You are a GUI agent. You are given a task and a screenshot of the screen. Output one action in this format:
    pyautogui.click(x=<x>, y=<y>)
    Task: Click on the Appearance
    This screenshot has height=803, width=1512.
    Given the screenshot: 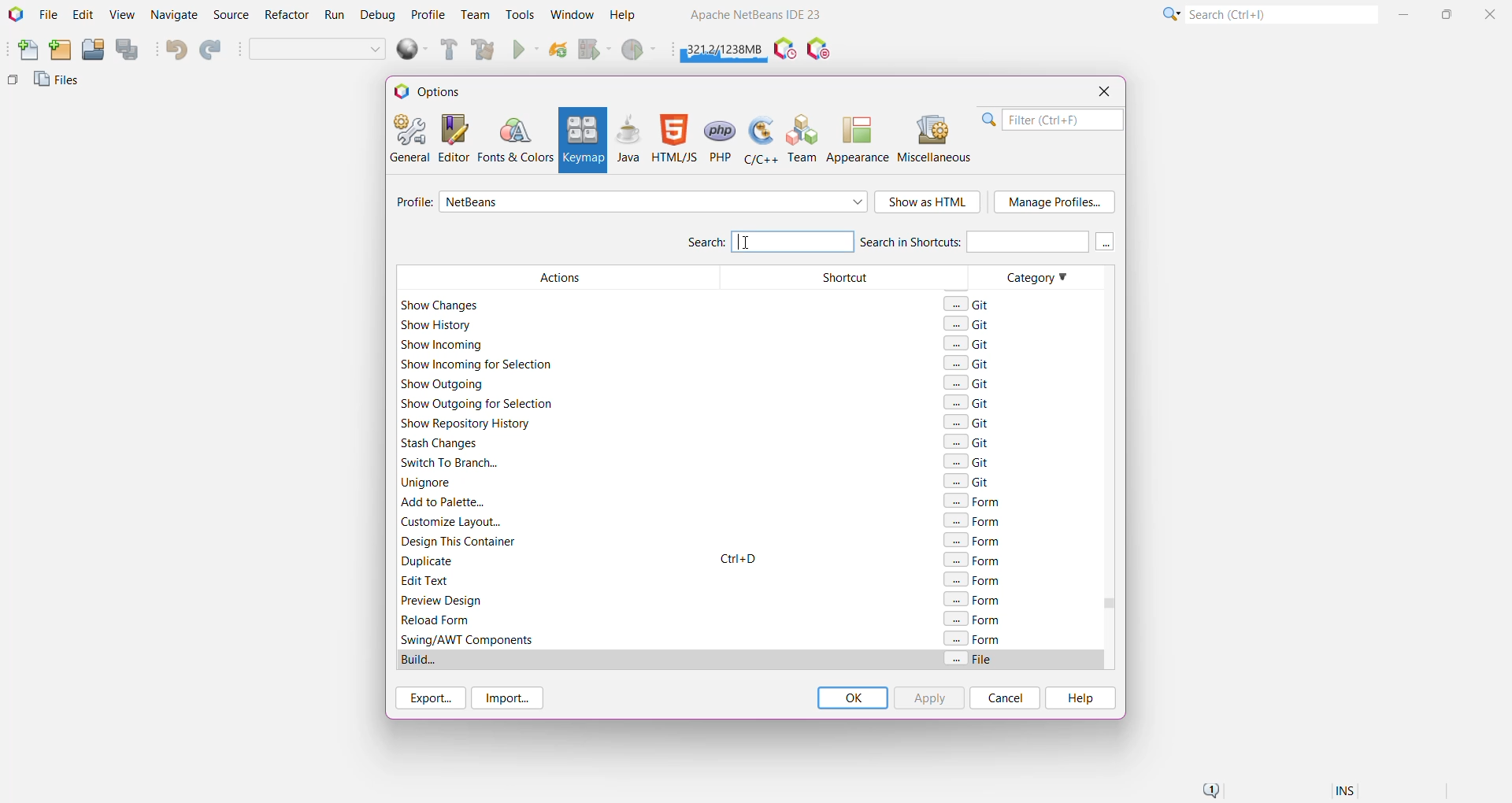 What is the action you would take?
    pyautogui.click(x=858, y=139)
    